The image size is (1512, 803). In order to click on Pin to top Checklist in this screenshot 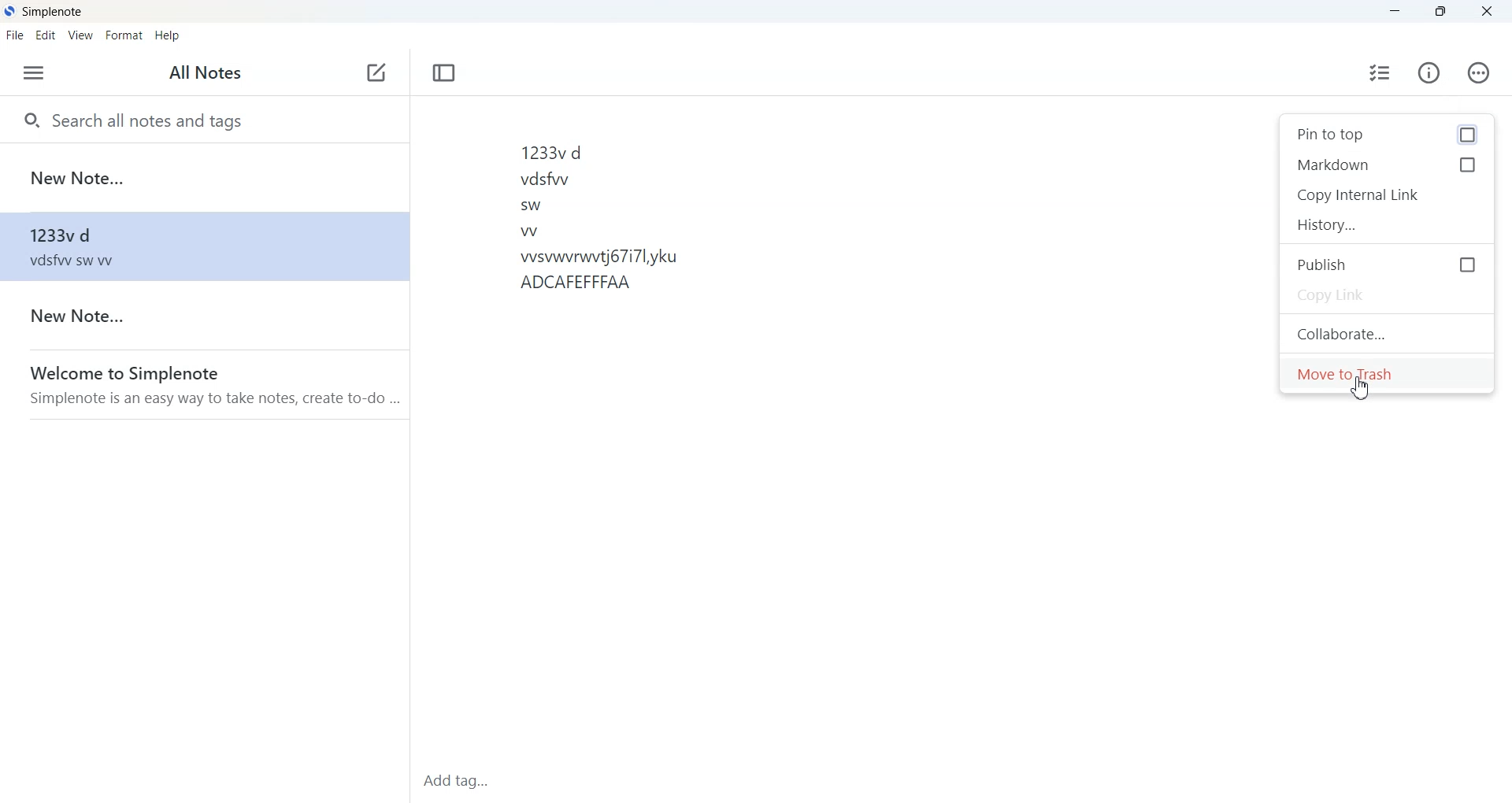, I will do `click(1387, 135)`.